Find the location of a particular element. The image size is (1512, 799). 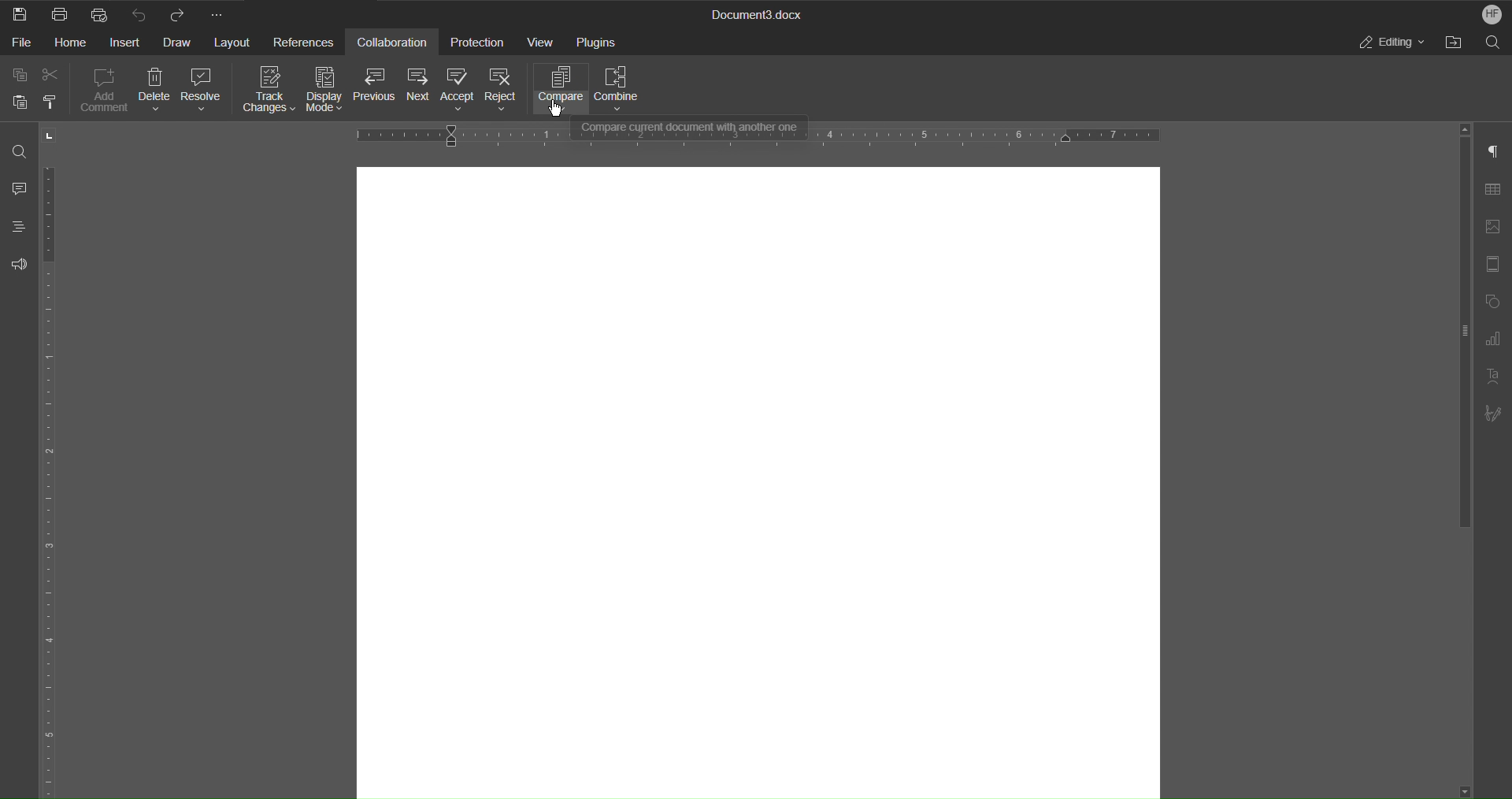

Previous  is located at coordinates (376, 87).